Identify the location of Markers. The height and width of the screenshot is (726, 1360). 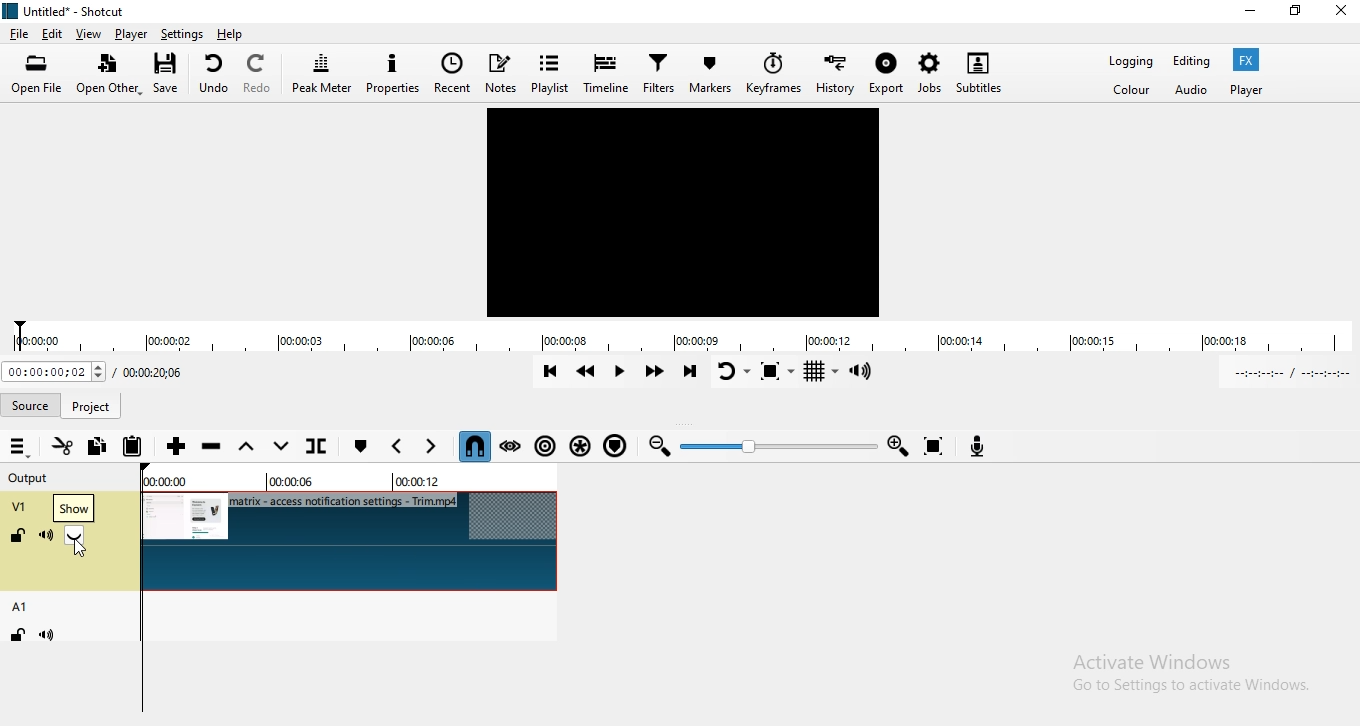
(712, 73).